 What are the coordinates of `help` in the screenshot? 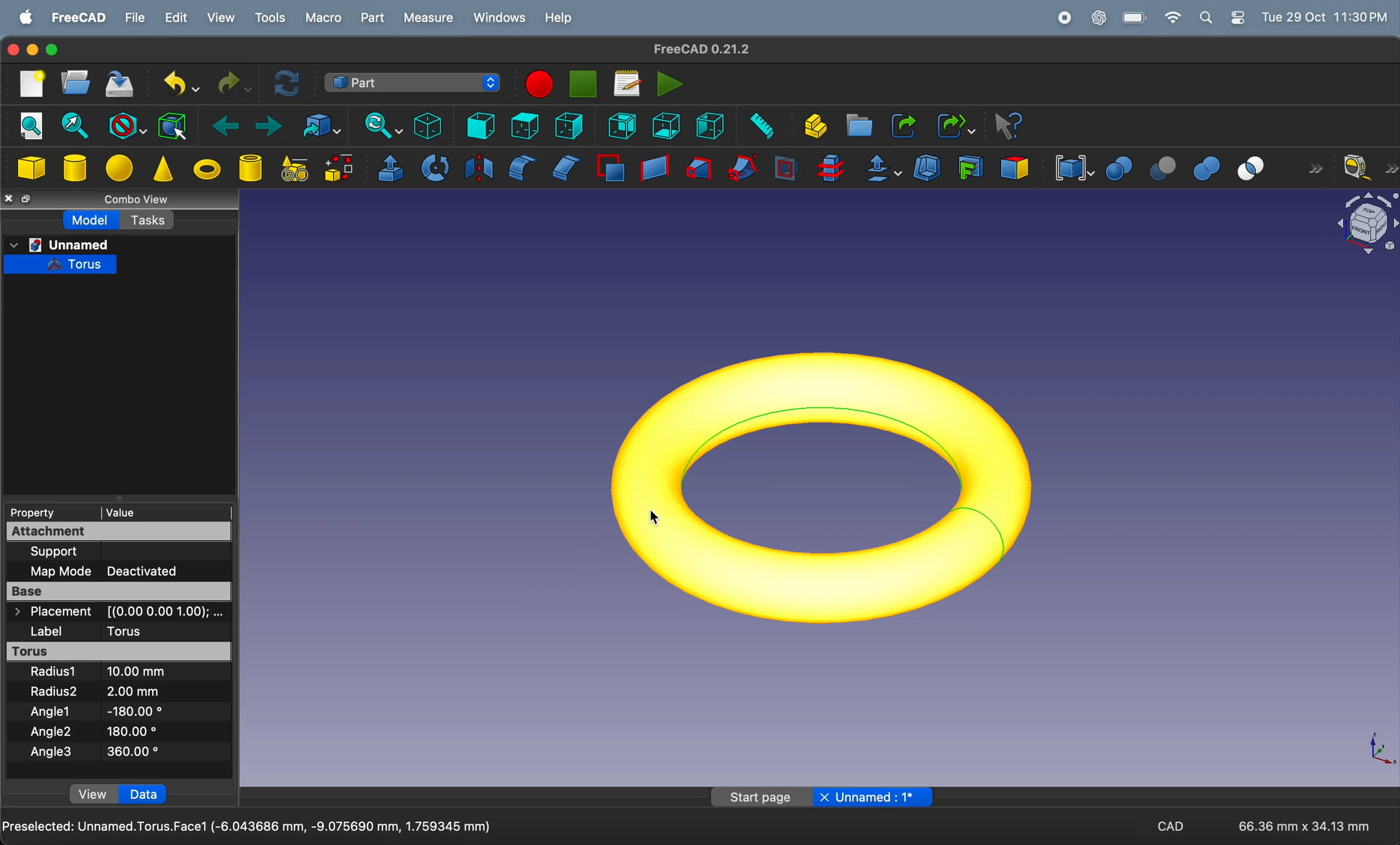 It's located at (560, 18).